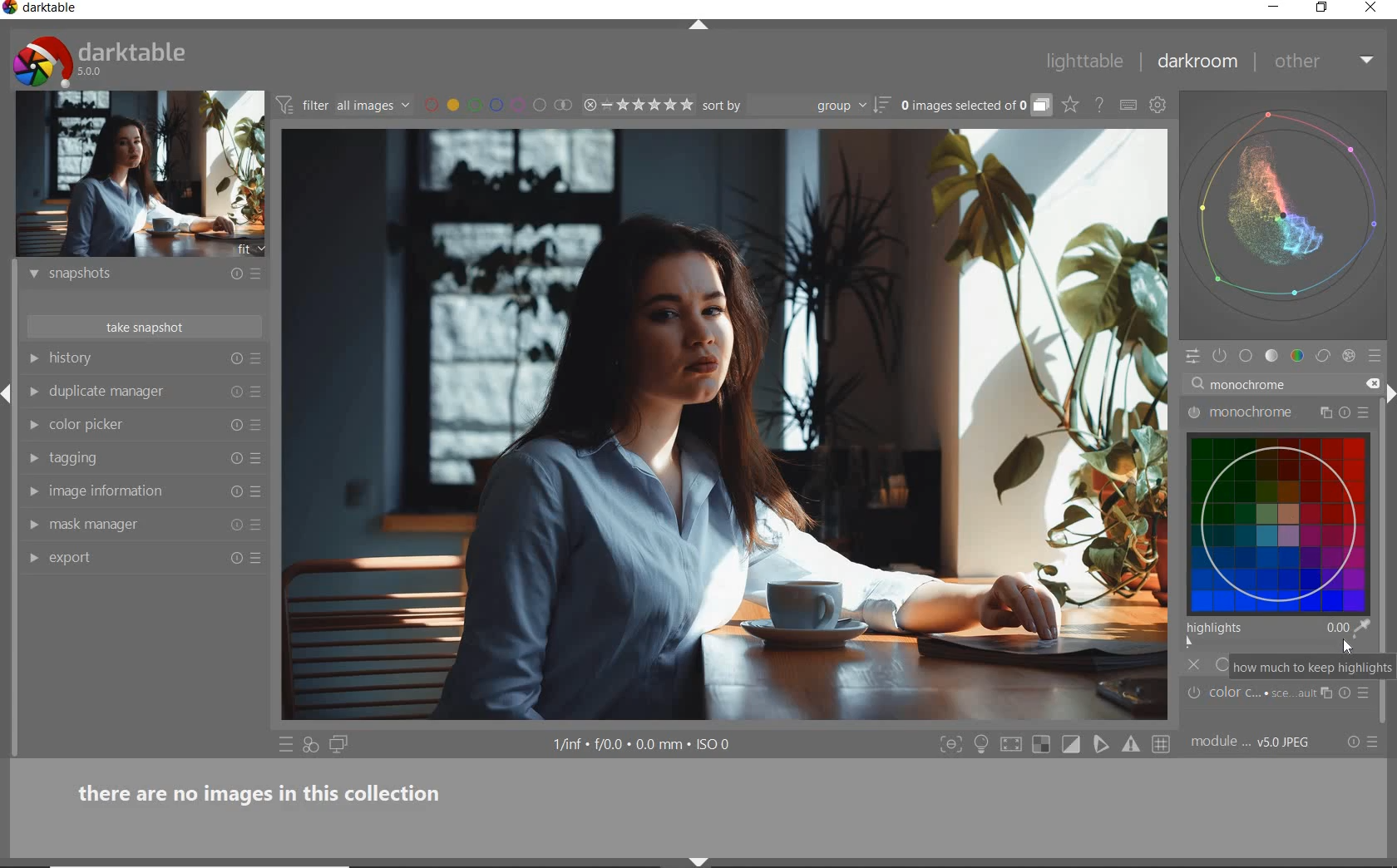 Image resolution: width=1397 pixels, height=868 pixels. What do you see at coordinates (1194, 693) in the screenshot?
I see `'color c' is switched off` at bounding box center [1194, 693].